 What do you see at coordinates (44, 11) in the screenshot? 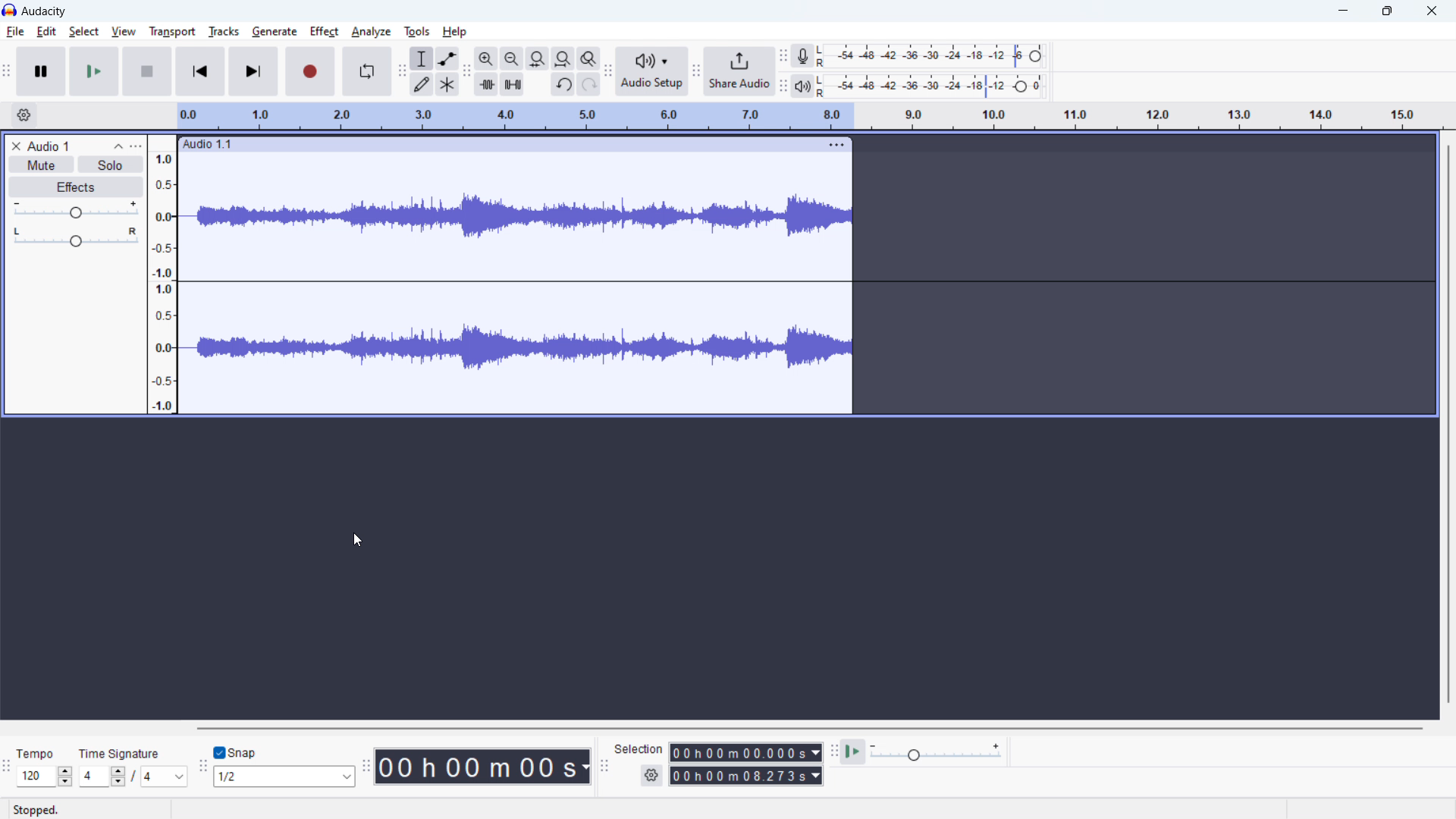
I see `title` at bounding box center [44, 11].